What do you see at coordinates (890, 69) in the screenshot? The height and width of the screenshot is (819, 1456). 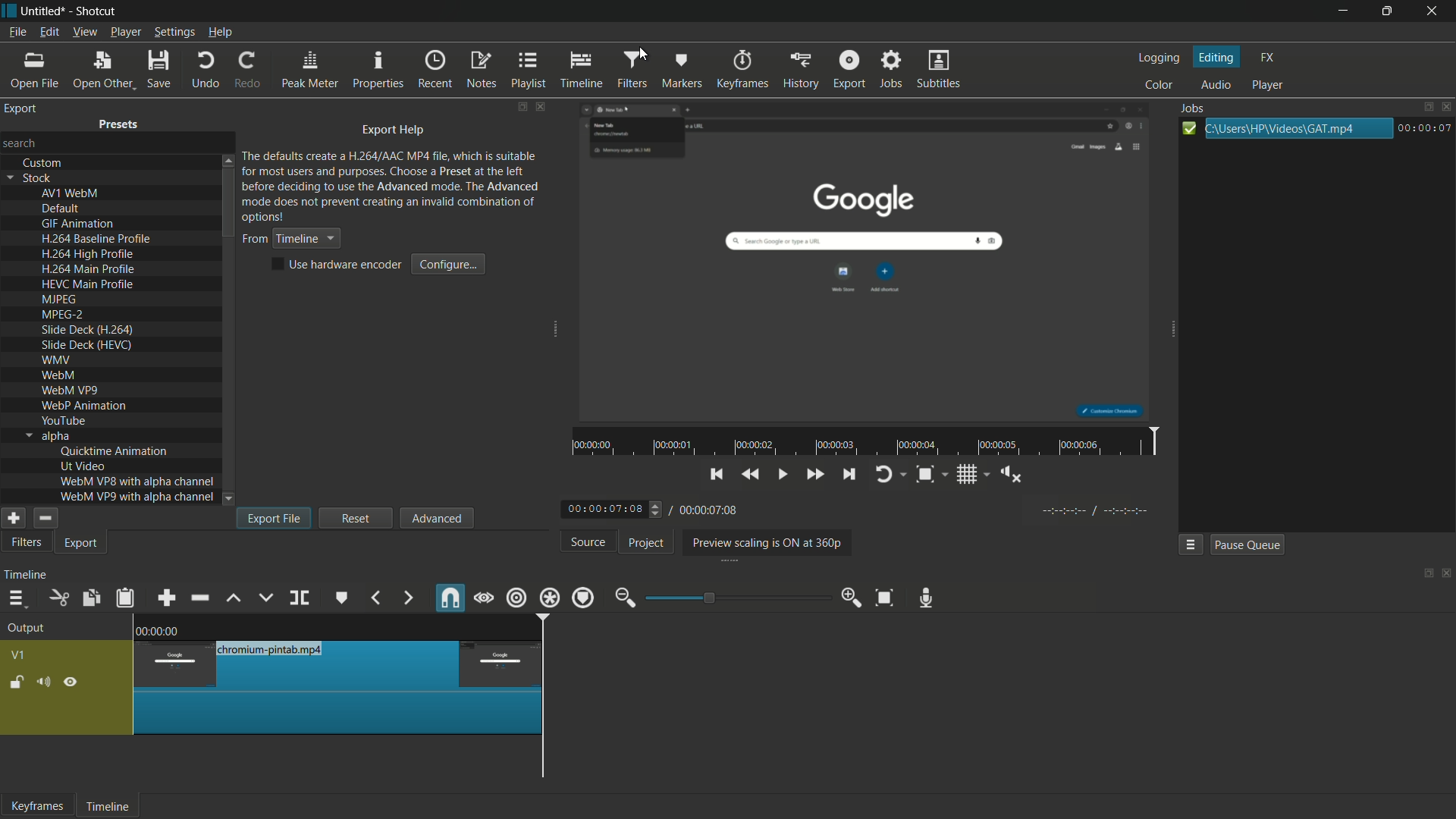 I see `jobs` at bounding box center [890, 69].